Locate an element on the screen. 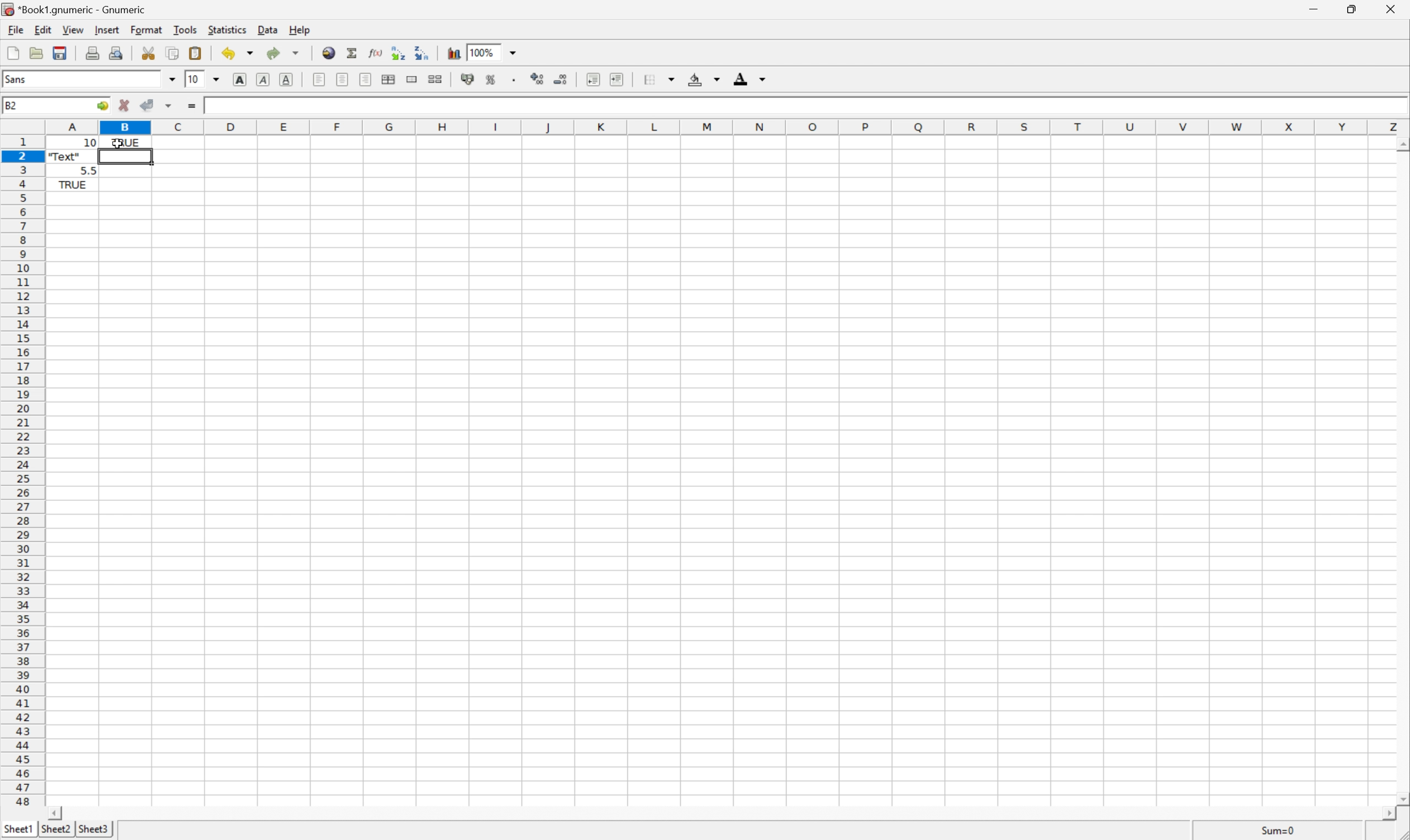 This screenshot has height=840, width=1410. 10 is located at coordinates (194, 79).